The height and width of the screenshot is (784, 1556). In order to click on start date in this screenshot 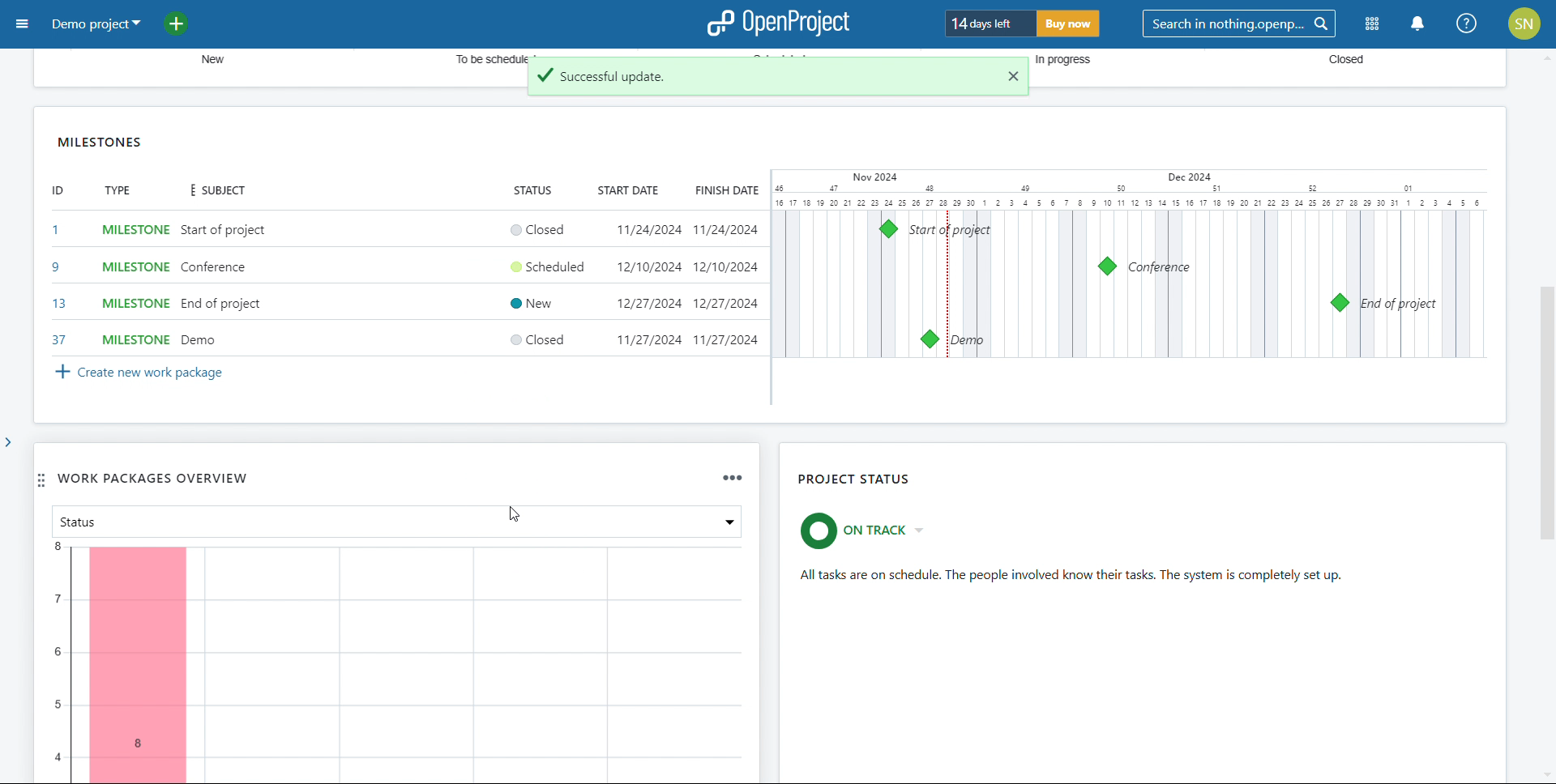, I will do `click(626, 190)`.